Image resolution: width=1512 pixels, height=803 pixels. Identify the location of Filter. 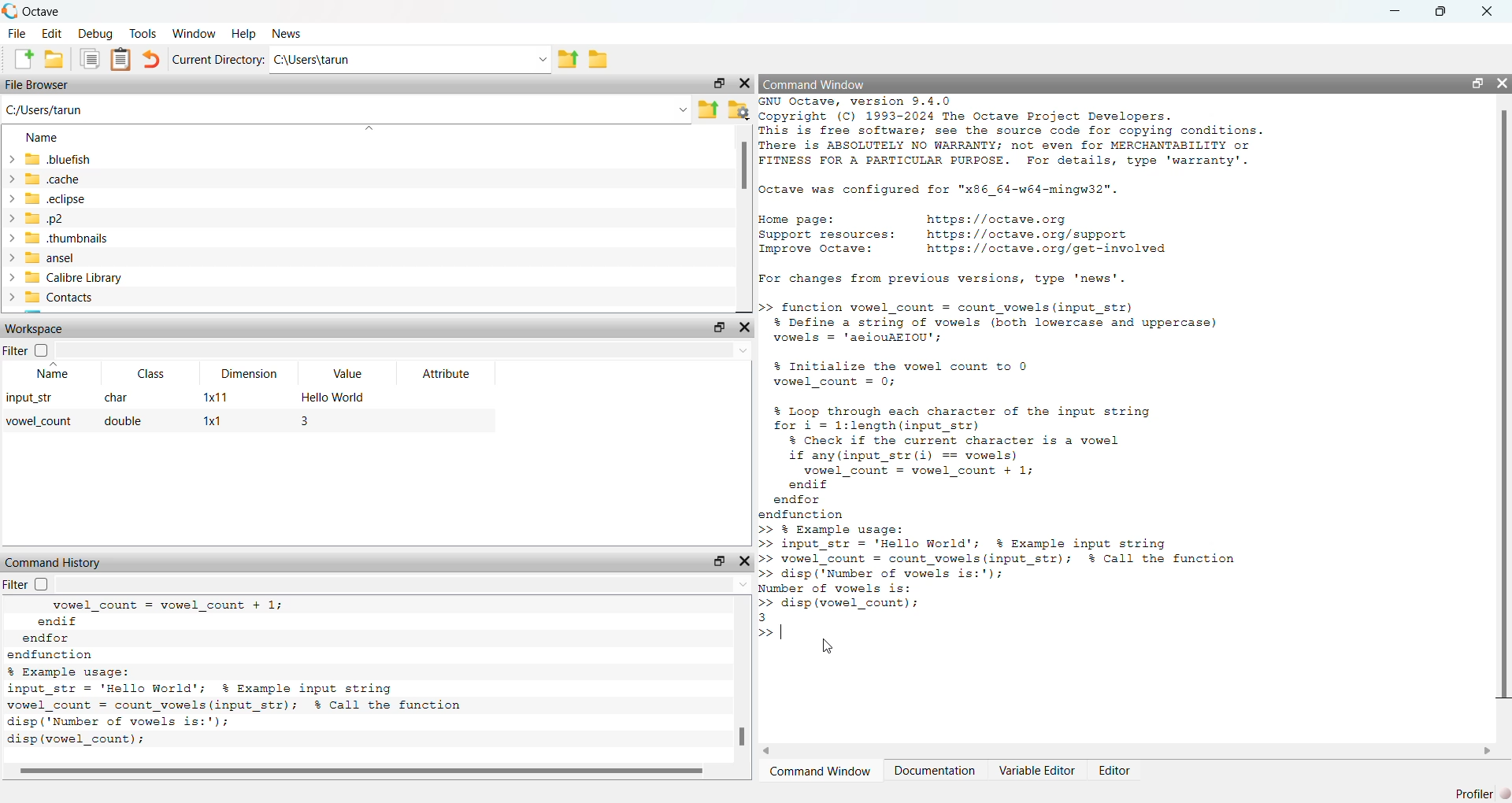
(26, 584).